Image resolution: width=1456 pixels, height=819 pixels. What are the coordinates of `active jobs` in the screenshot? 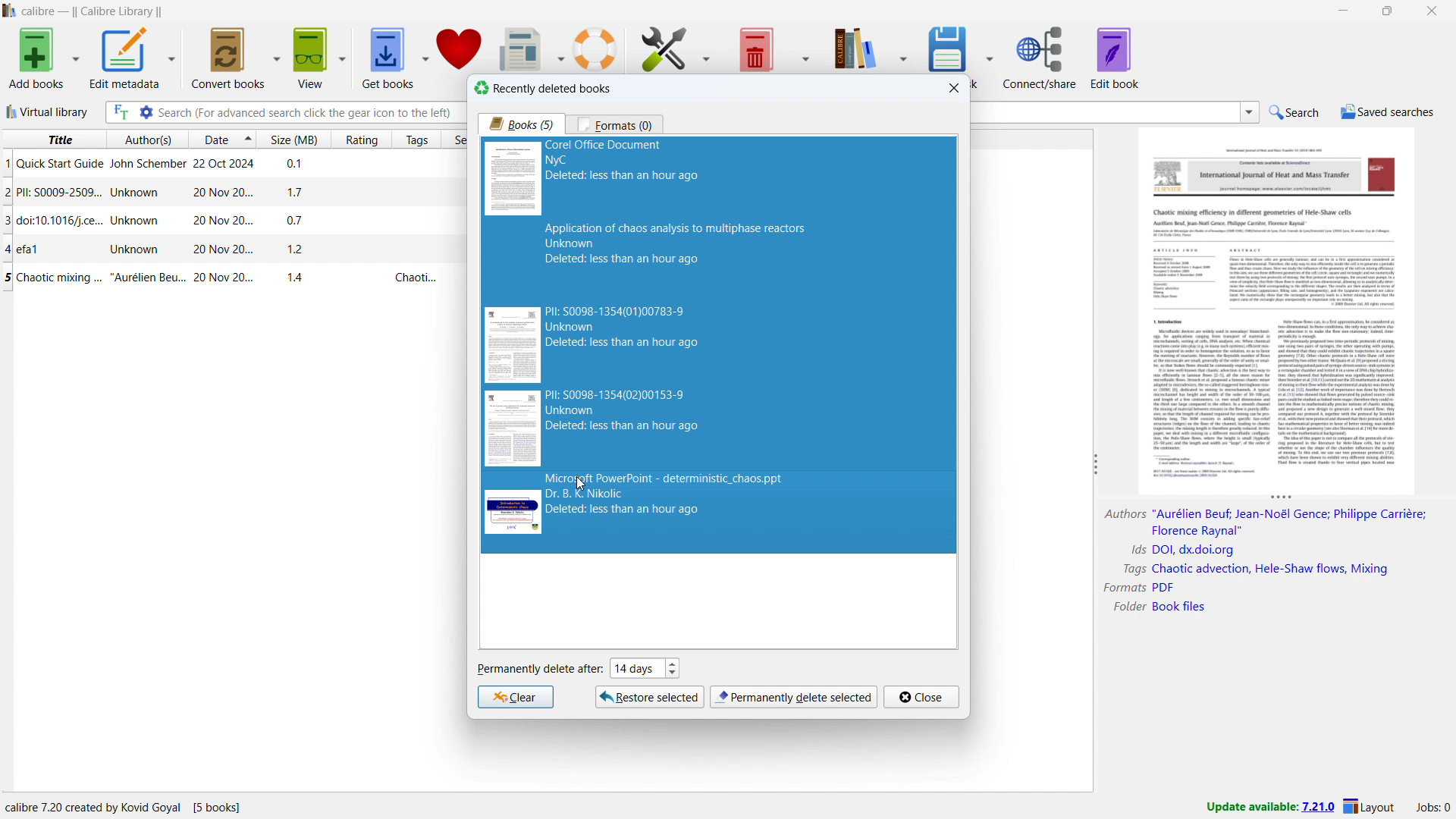 It's located at (1432, 808).